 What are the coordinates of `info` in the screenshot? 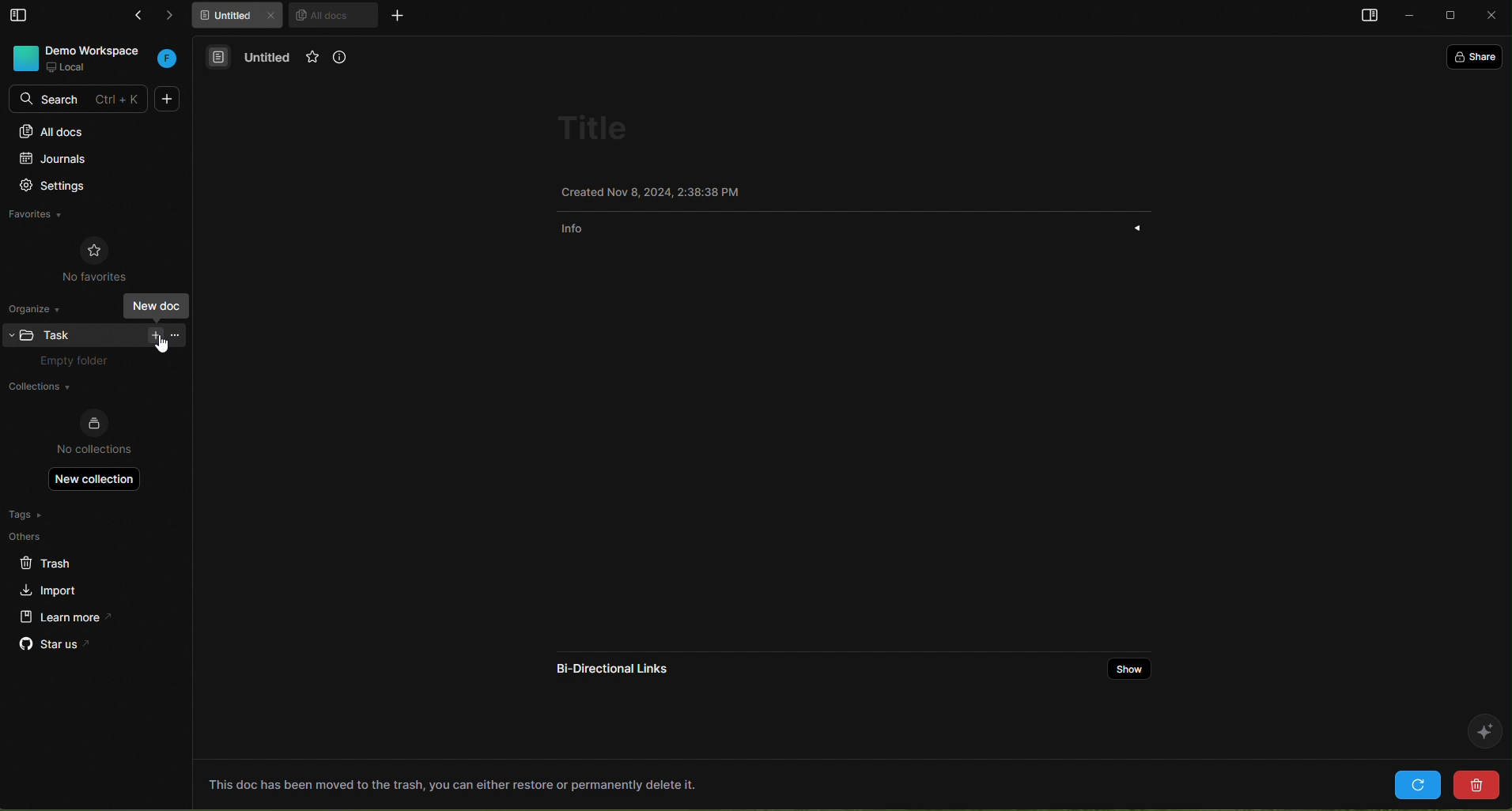 It's located at (858, 227).